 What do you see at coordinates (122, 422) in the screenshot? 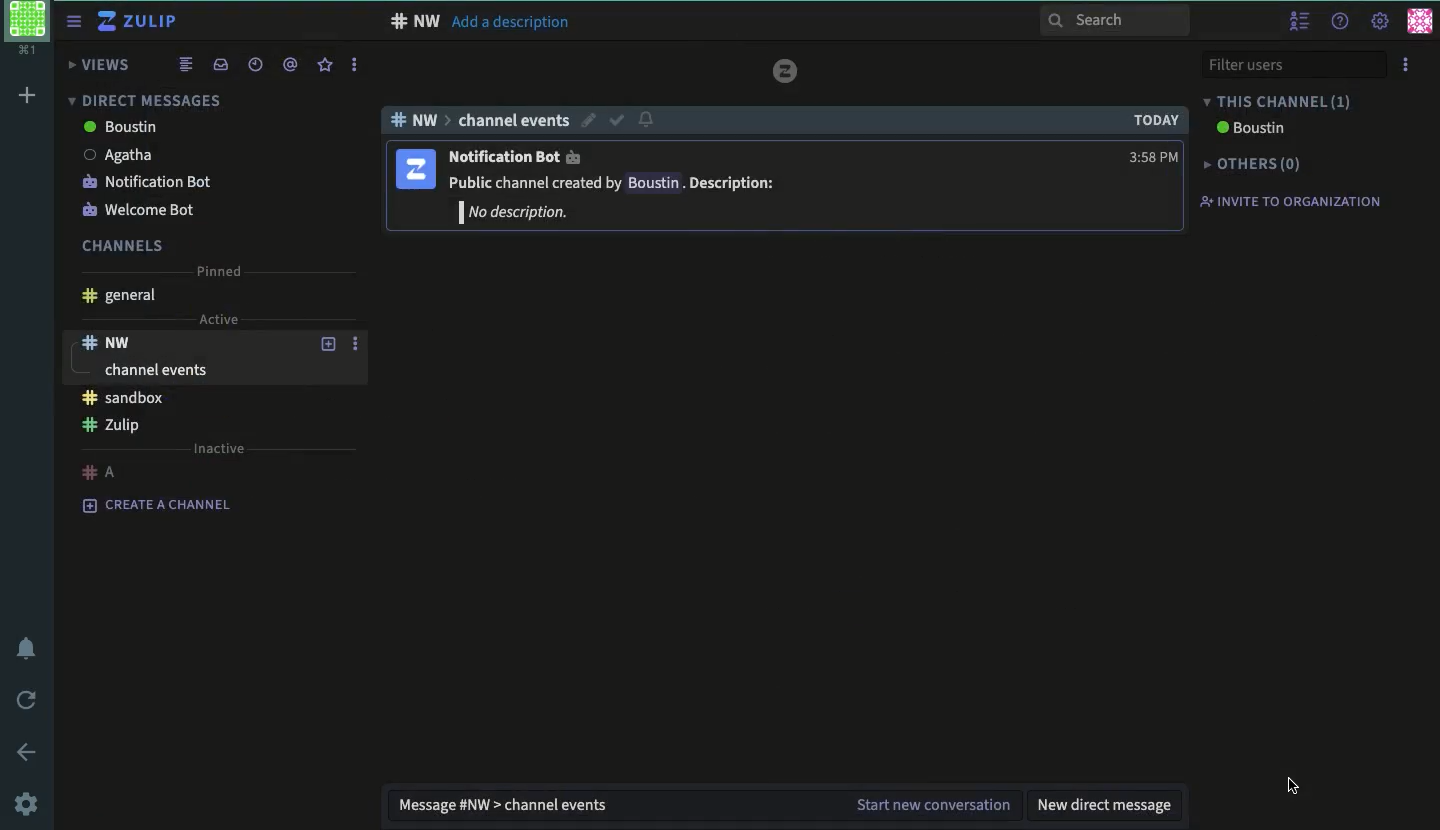
I see `Zulip` at bounding box center [122, 422].